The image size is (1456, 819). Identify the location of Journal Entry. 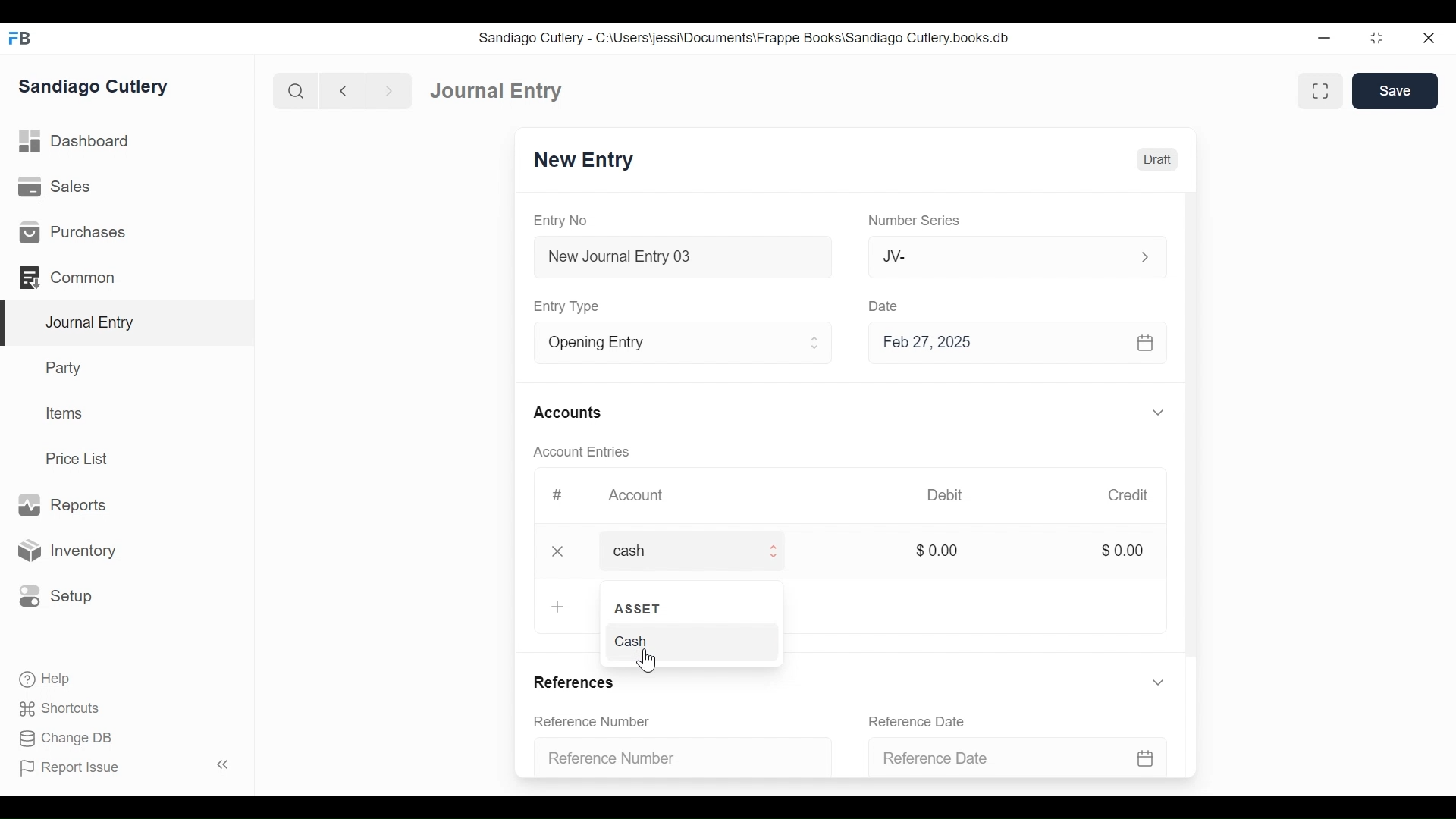
(498, 91).